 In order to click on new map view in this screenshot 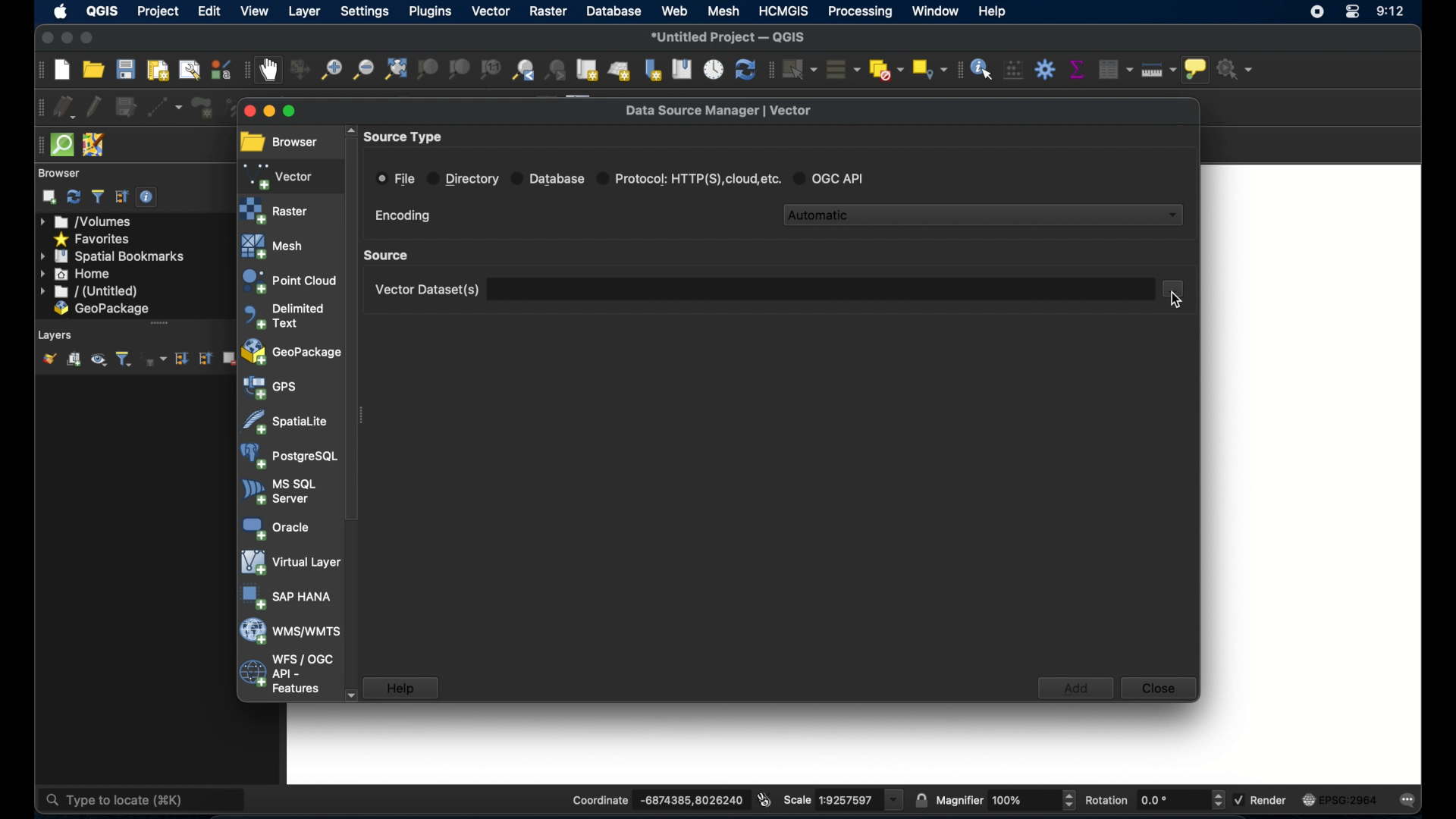, I will do `click(588, 69)`.